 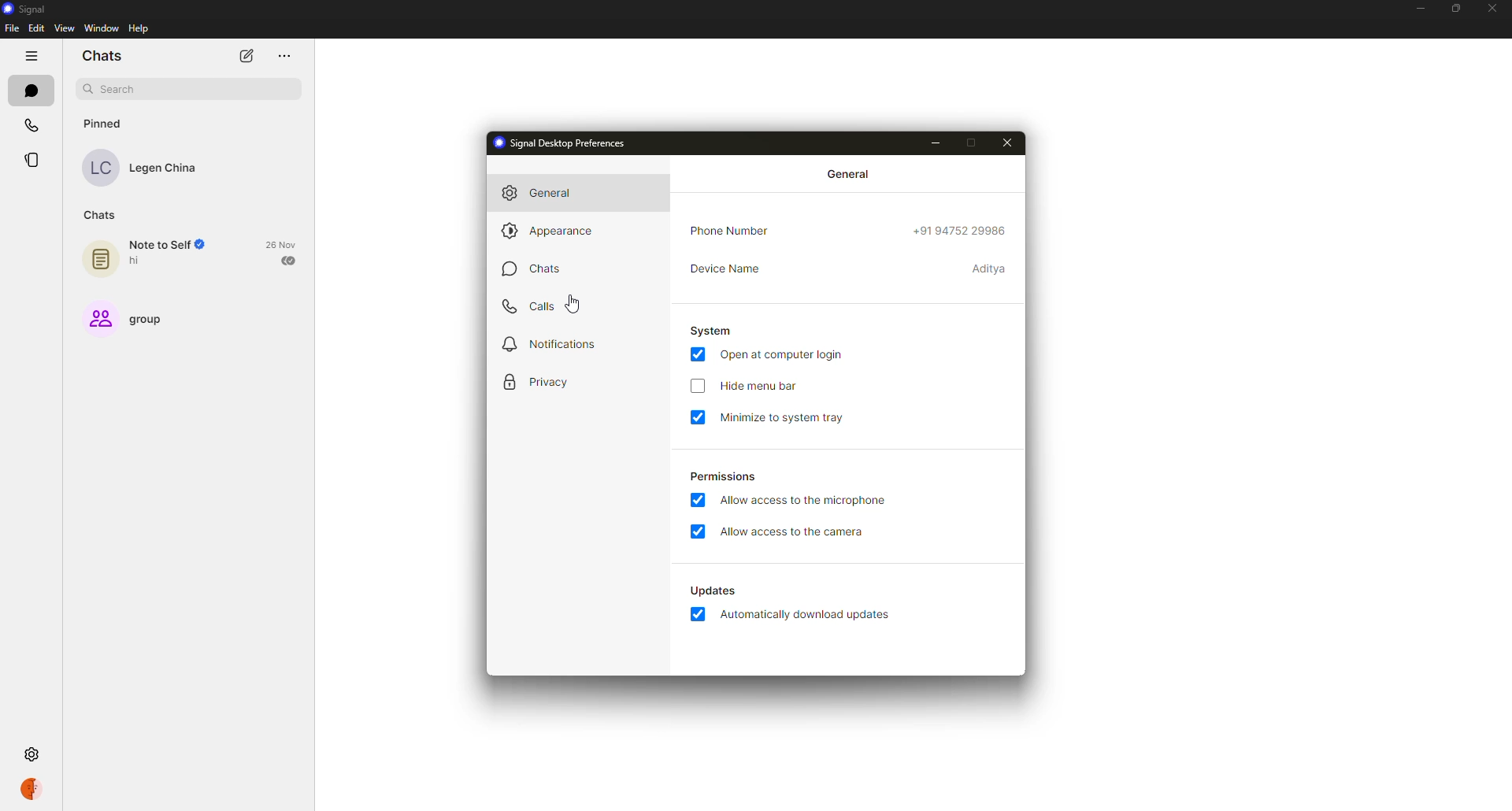 What do you see at coordinates (735, 231) in the screenshot?
I see `phone number` at bounding box center [735, 231].